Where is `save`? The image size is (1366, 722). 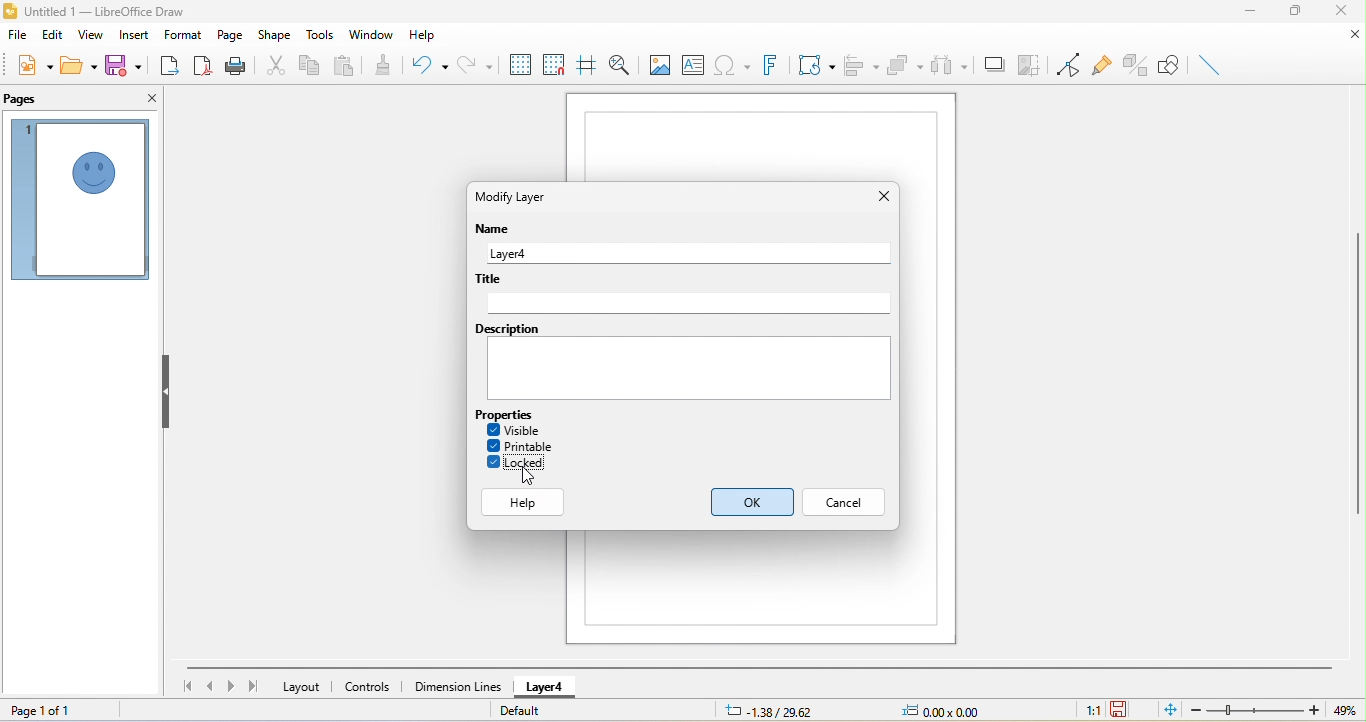
save is located at coordinates (123, 64).